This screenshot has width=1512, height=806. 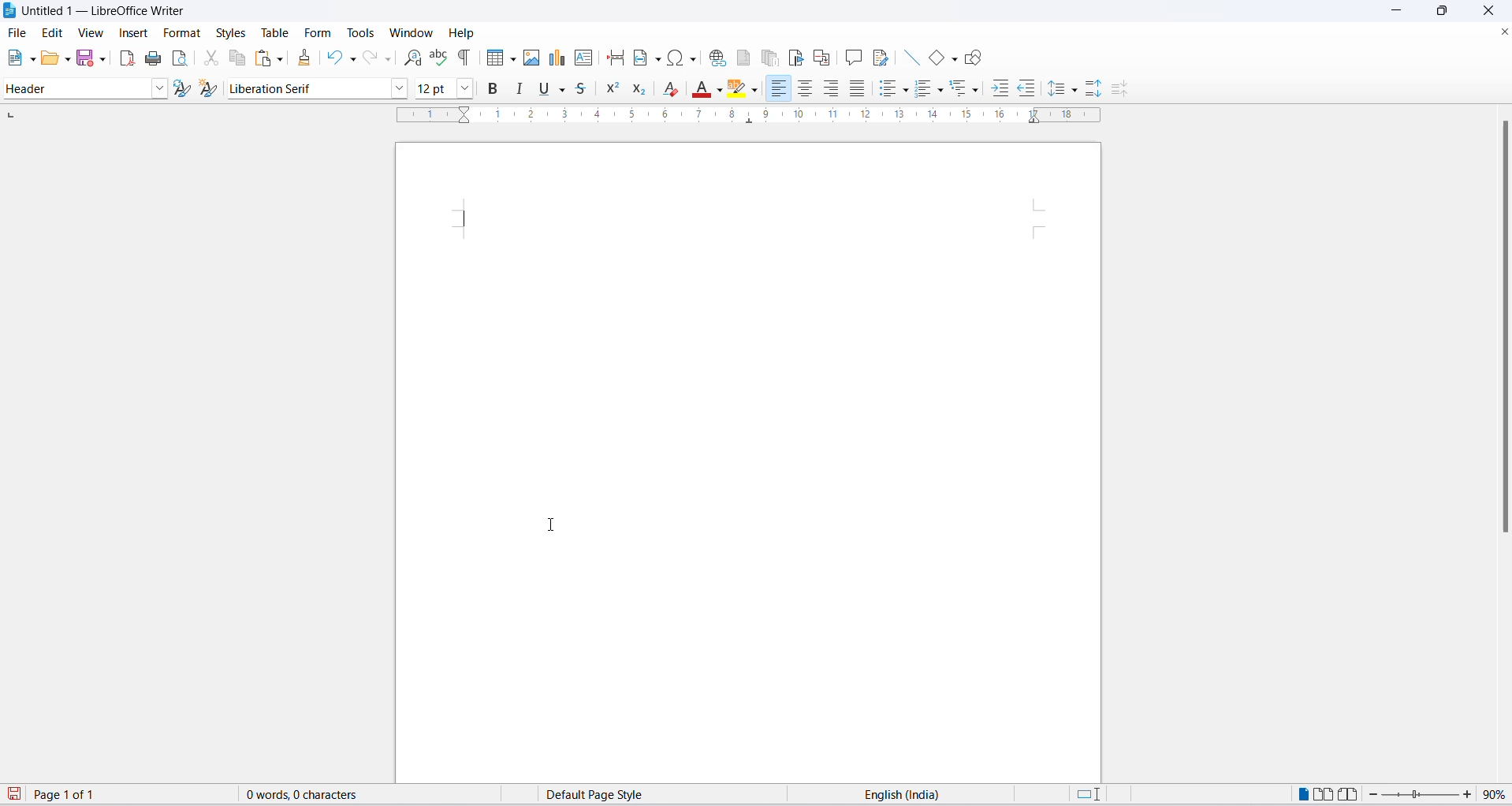 I want to click on text language, so click(x=904, y=794).